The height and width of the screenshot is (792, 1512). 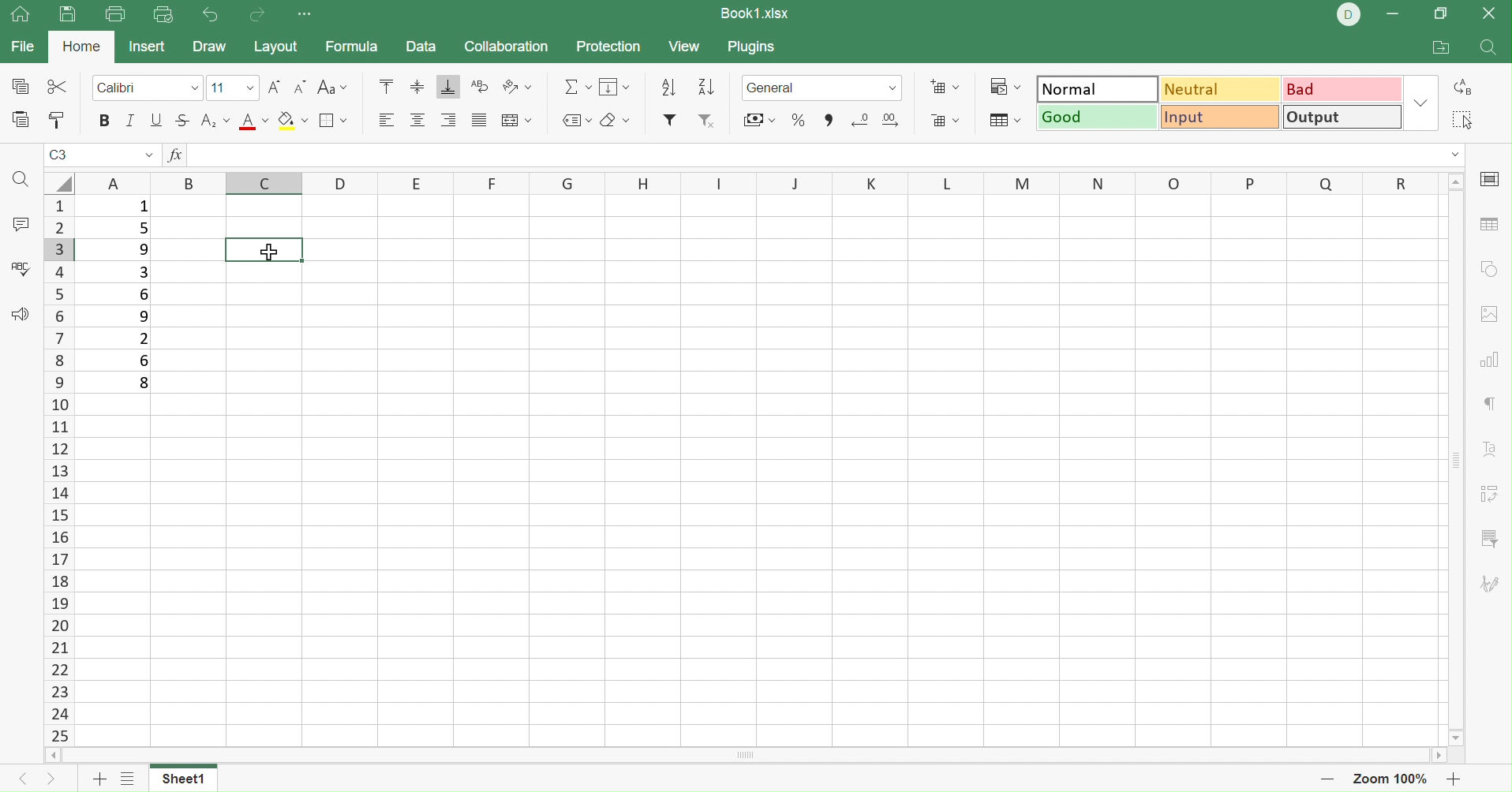 I want to click on Pivot table settings, so click(x=1495, y=494).